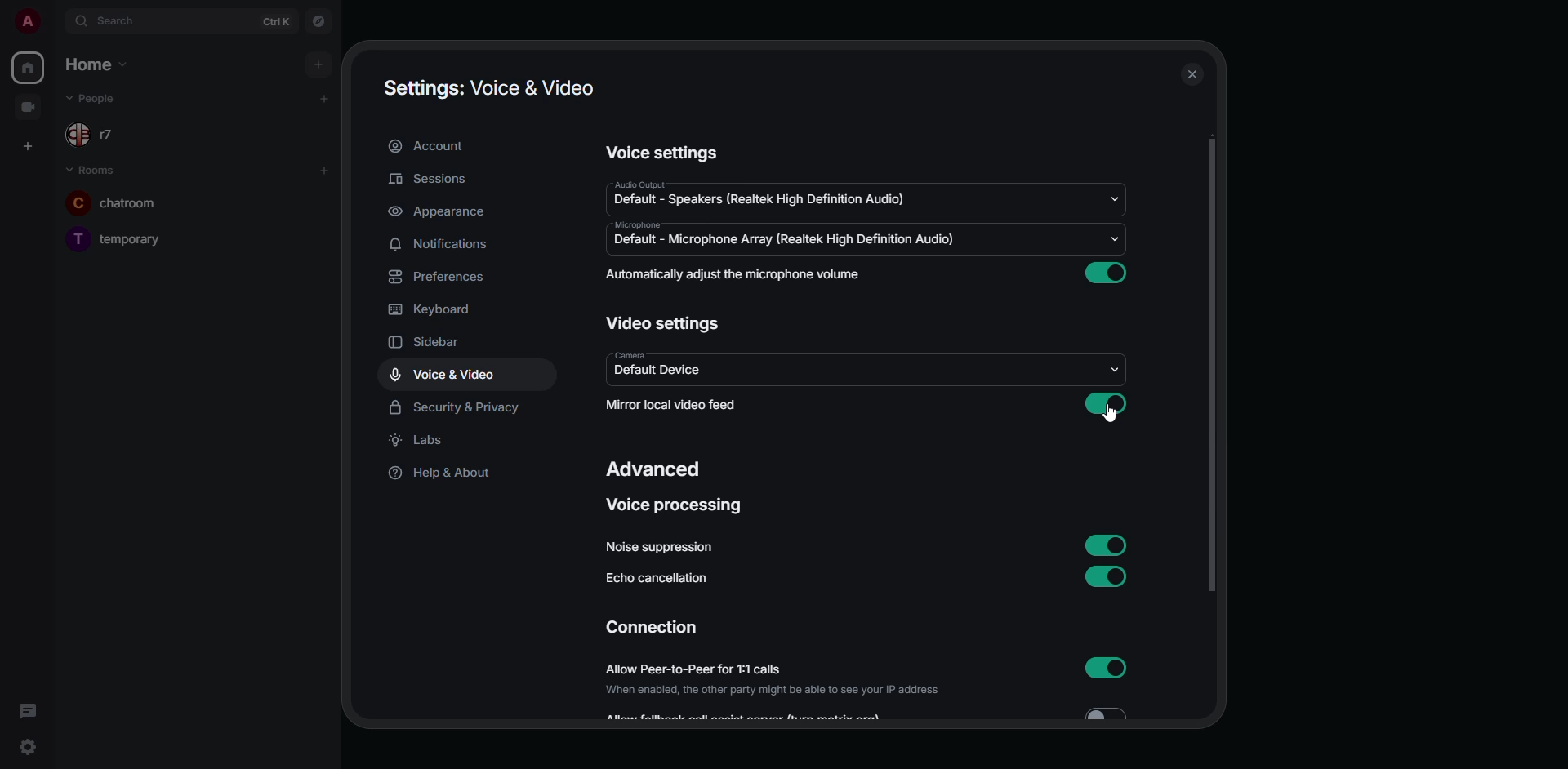 The image size is (1568, 769). Describe the element at coordinates (1116, 713) in the screenshot. I see `toggle` at that location.